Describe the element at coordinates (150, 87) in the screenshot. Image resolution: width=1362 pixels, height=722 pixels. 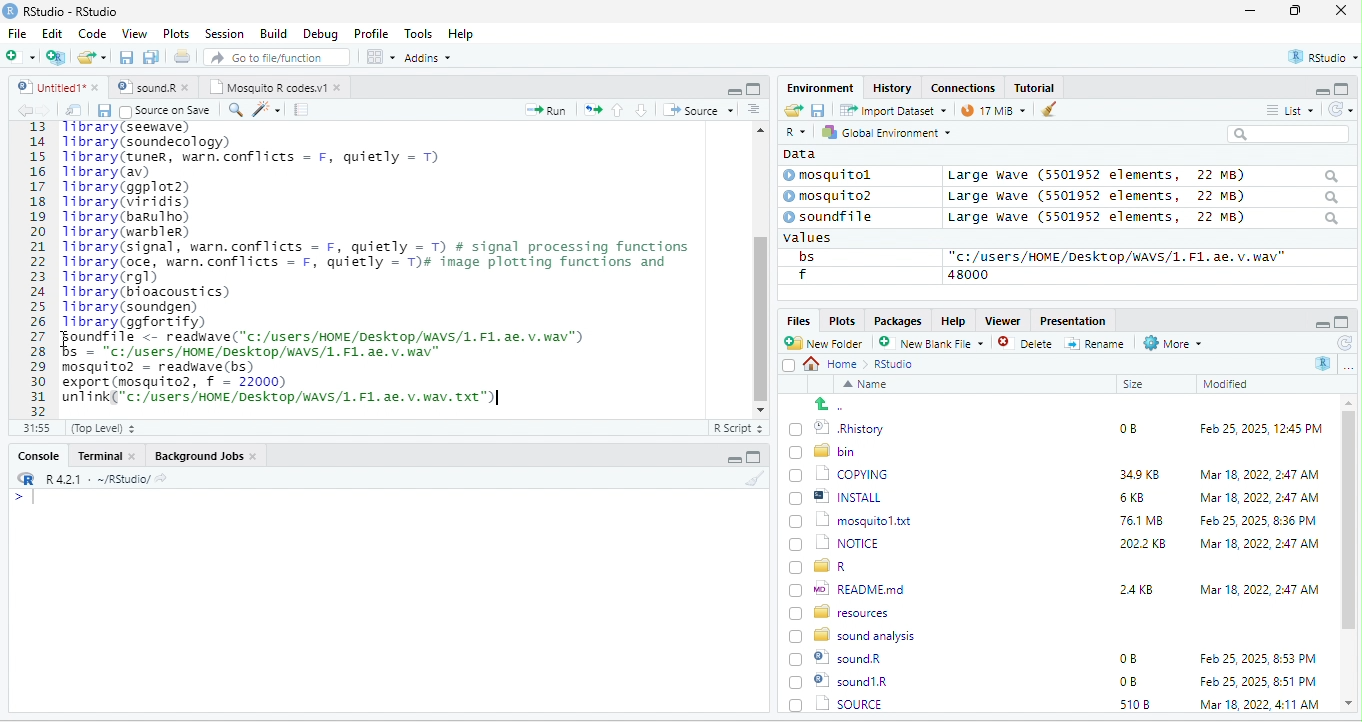
I see `‘Mosquito R codes.vi` at that location.